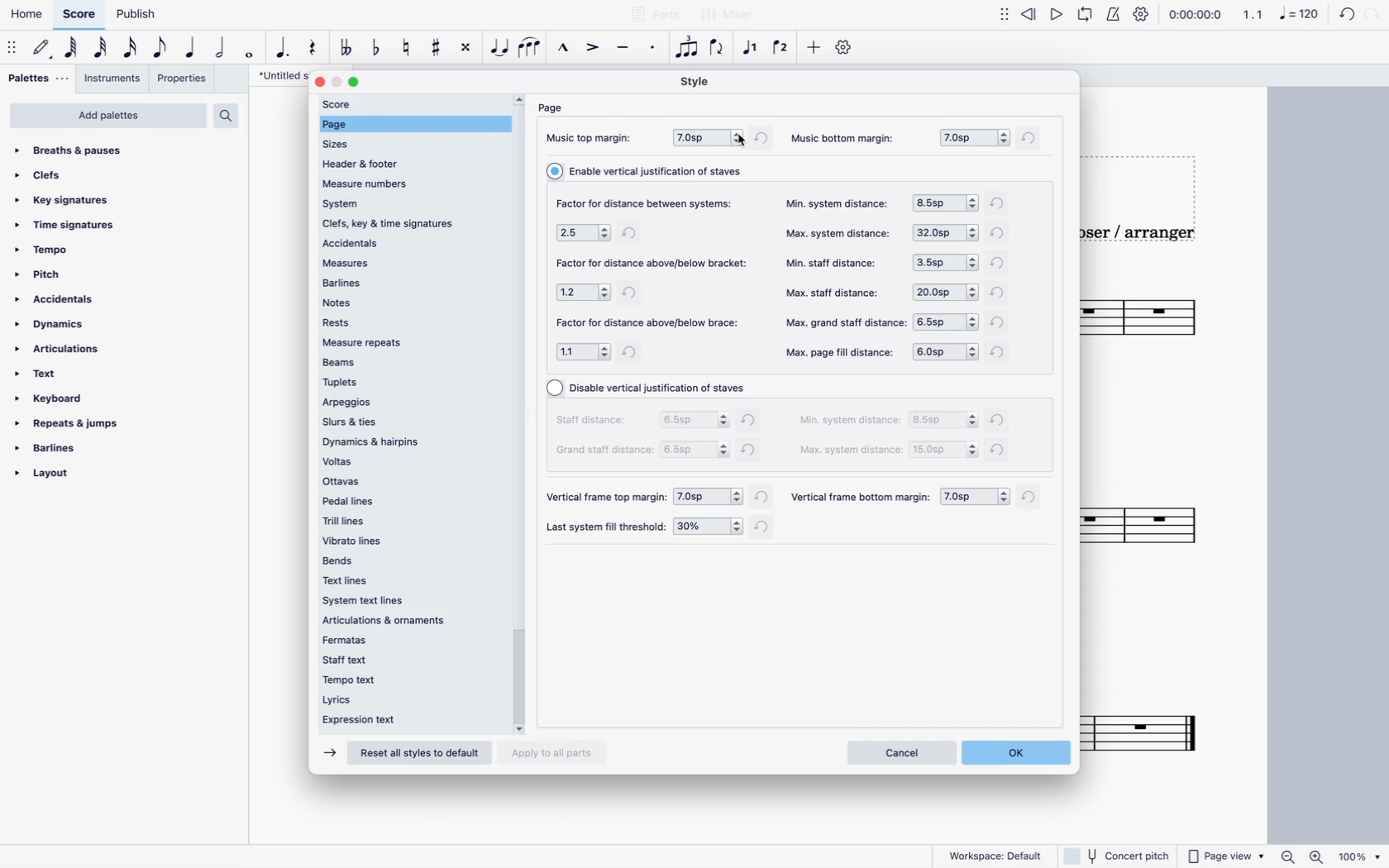 The width and height of the screenshot is (1389, 868). I want to click on time signatures, so click(65, 222).